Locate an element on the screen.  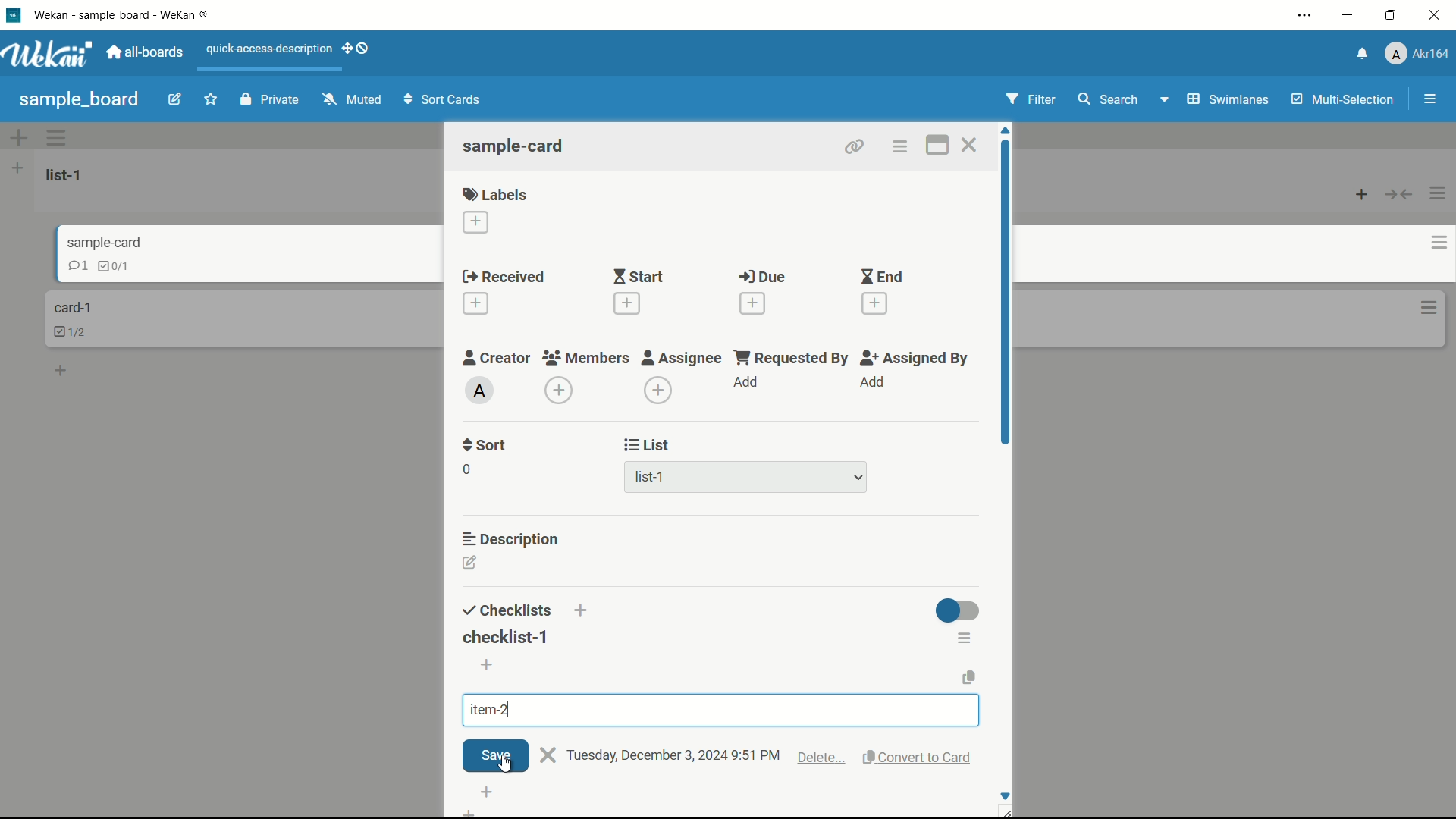
admin is located at coordinates (480, 390).